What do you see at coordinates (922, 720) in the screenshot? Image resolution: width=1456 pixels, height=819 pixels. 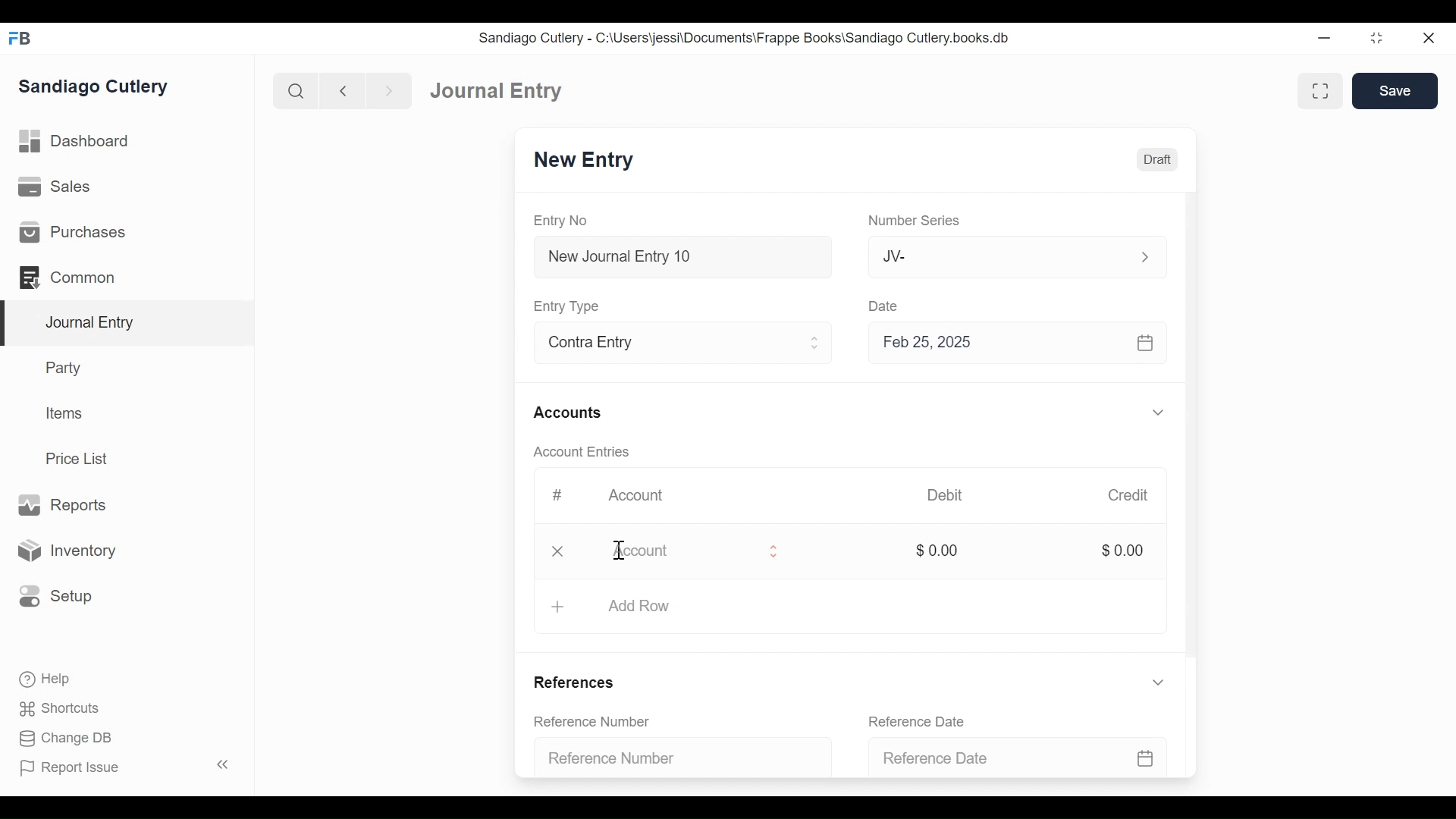 I see `Reference Date` at bounding box center [922, 720].